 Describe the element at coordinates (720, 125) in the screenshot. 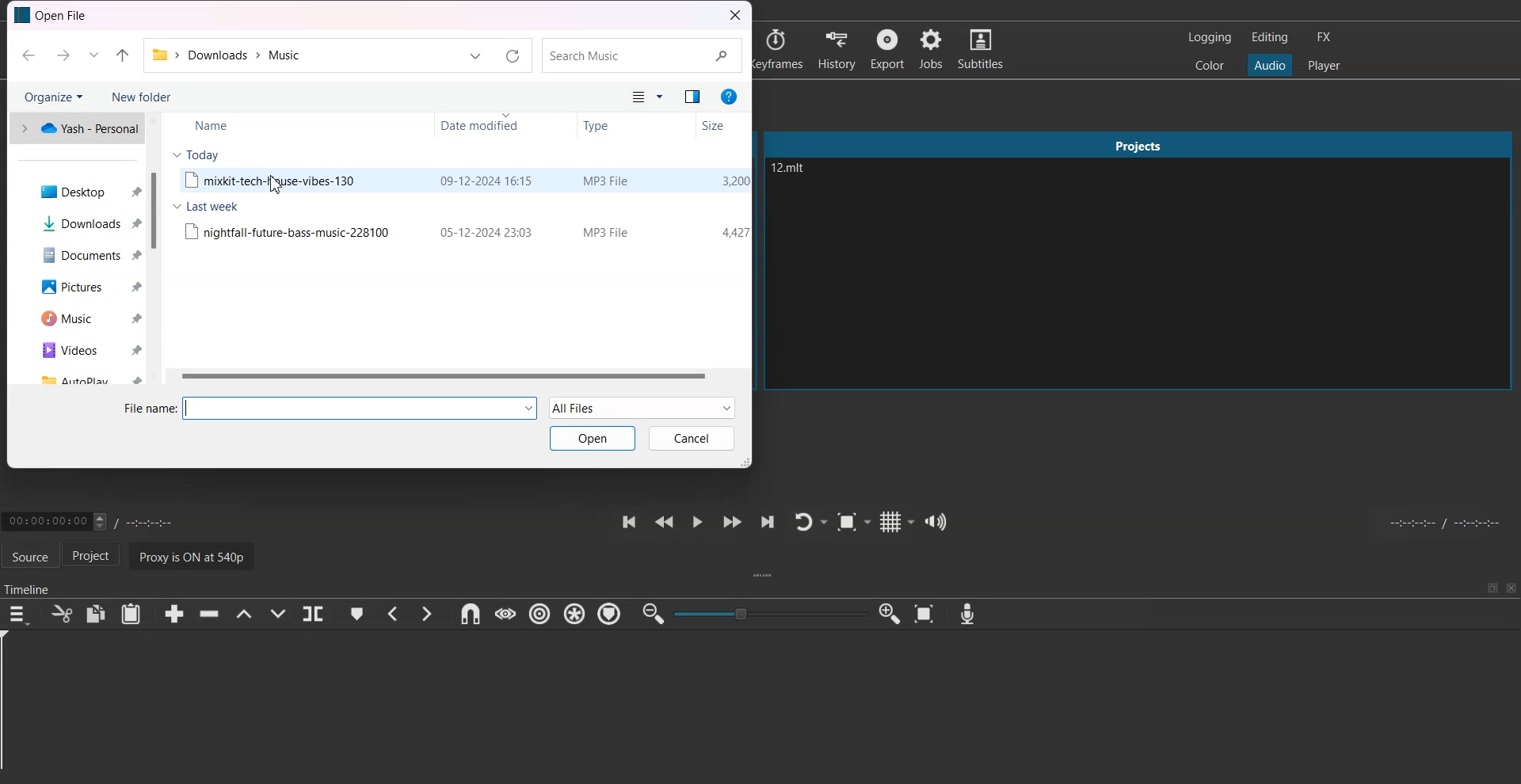

I see `Size` at that location.